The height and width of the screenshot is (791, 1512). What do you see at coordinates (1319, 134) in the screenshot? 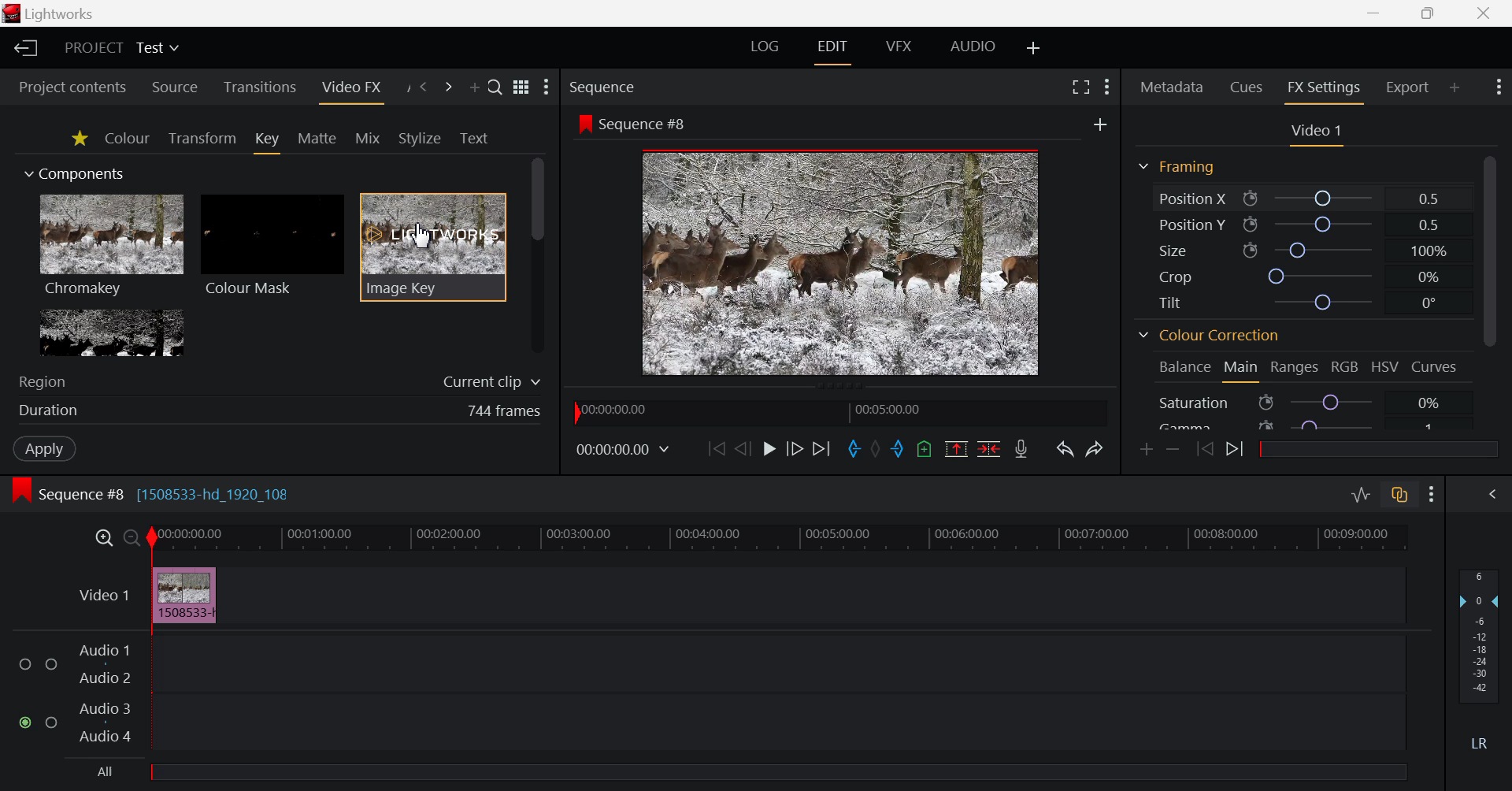
I see `Video Settings` at bounding box center [1319, 134].